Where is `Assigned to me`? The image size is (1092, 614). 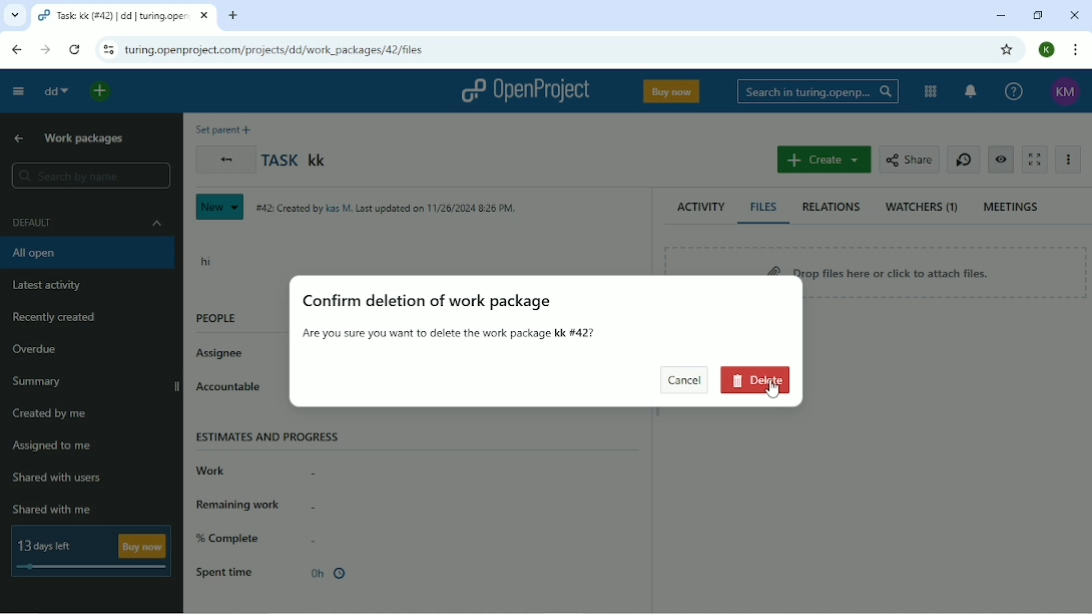
Assigned to me is located at coordinates (53, 448).